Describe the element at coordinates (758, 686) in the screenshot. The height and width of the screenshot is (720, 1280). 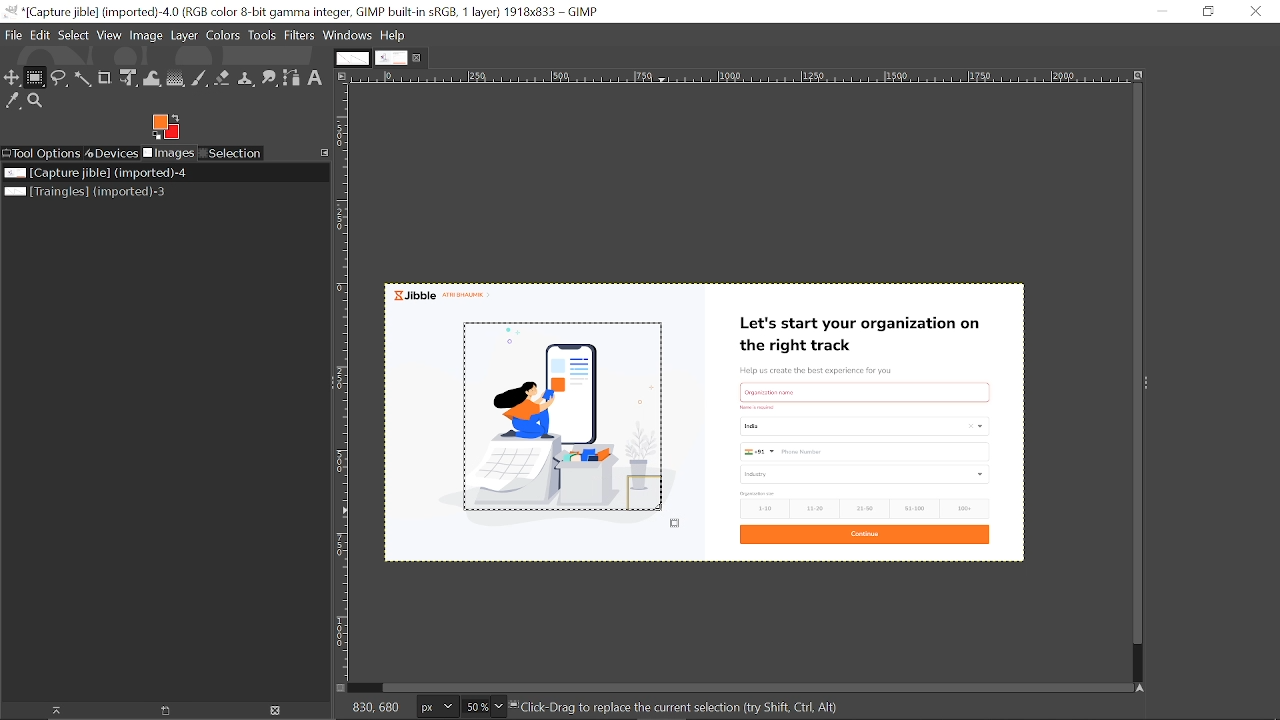
I see `Horizontal srollbar` at that location.